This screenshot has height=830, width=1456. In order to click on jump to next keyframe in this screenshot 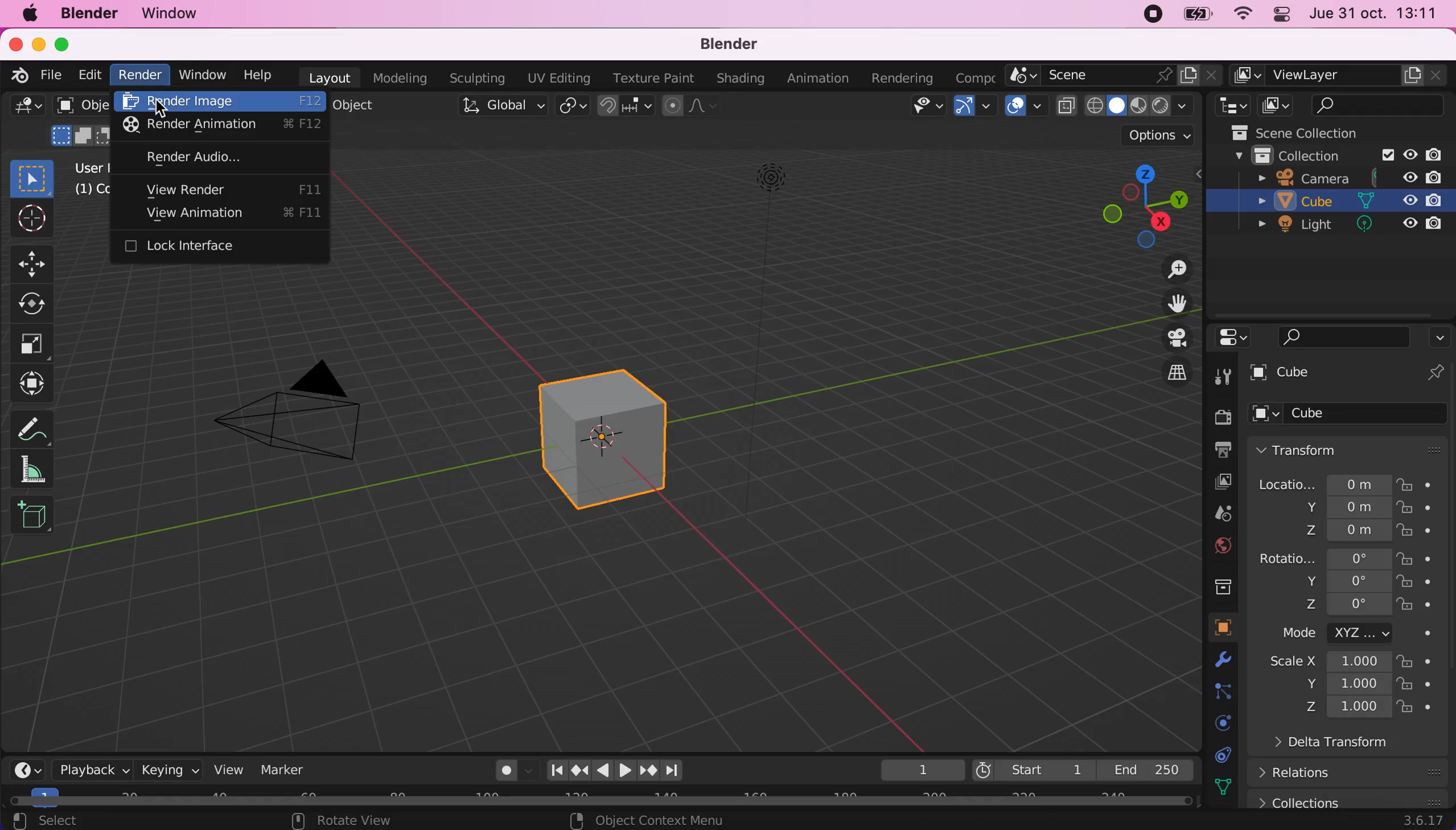, I will do `click(647, 770)`.